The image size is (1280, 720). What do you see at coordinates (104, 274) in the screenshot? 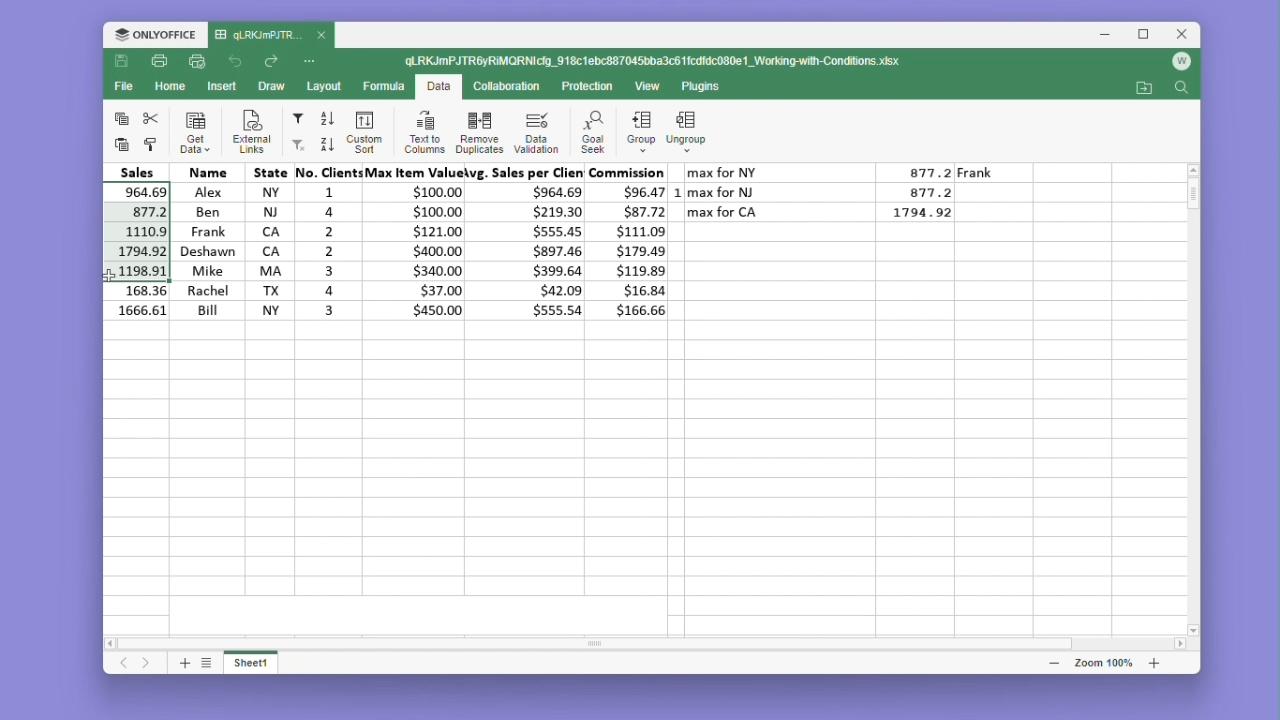
I see `cursor` at bounding box center [104, 274].